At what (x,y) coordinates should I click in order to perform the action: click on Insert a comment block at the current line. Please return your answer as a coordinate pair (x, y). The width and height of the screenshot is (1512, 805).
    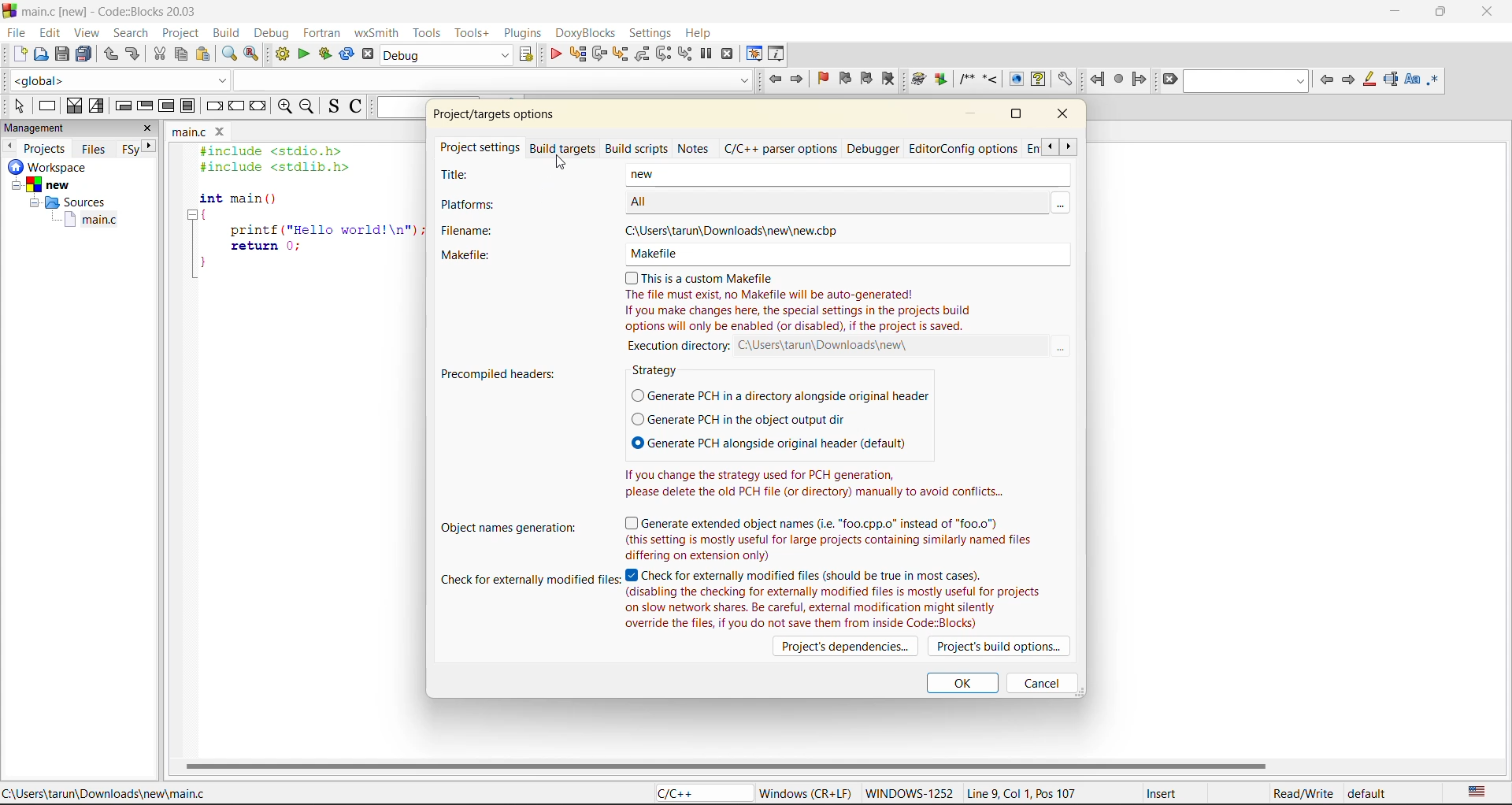
    Looking at the image, I should click on (966, 80).